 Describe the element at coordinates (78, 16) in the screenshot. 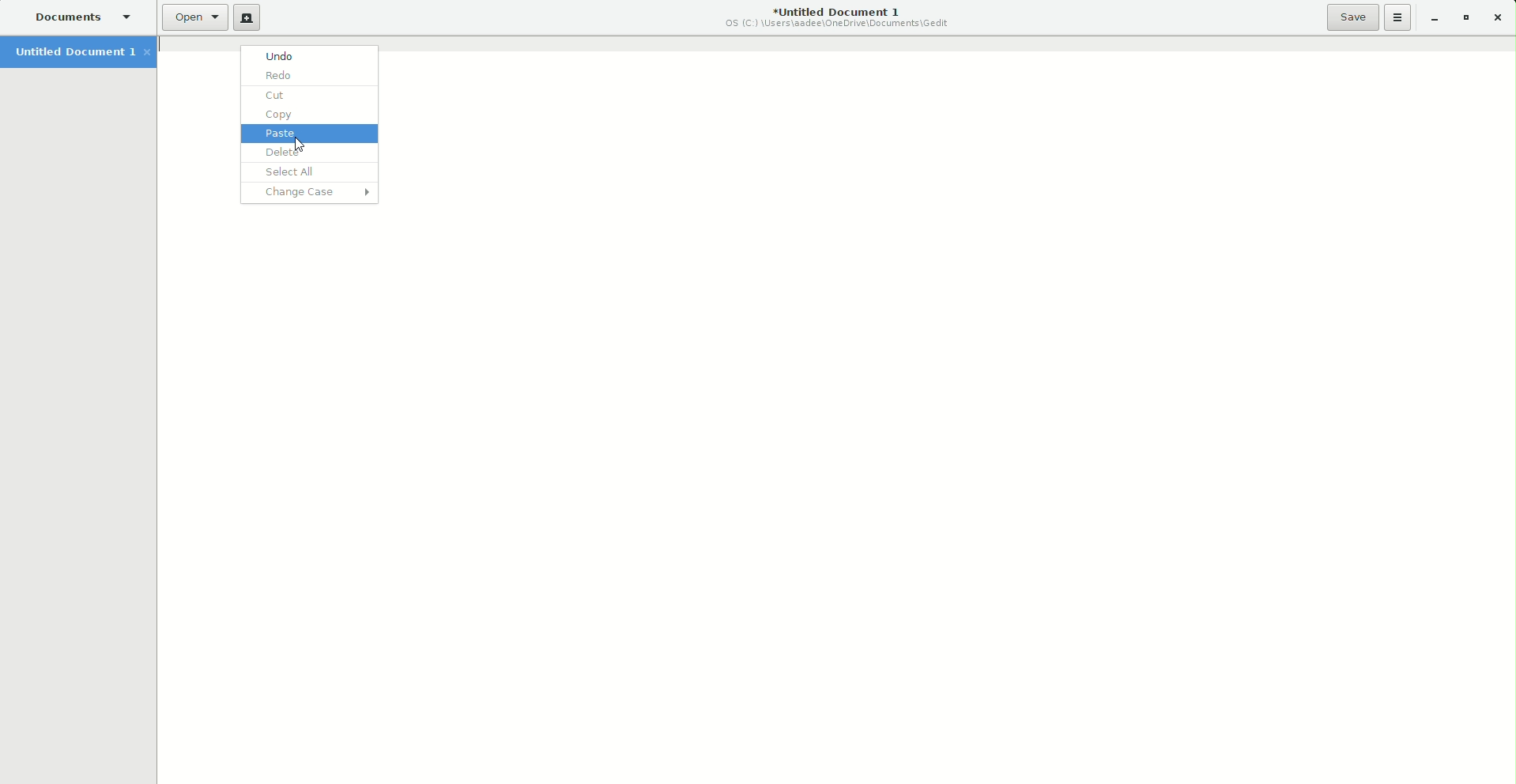

I see `Documents` at that location.